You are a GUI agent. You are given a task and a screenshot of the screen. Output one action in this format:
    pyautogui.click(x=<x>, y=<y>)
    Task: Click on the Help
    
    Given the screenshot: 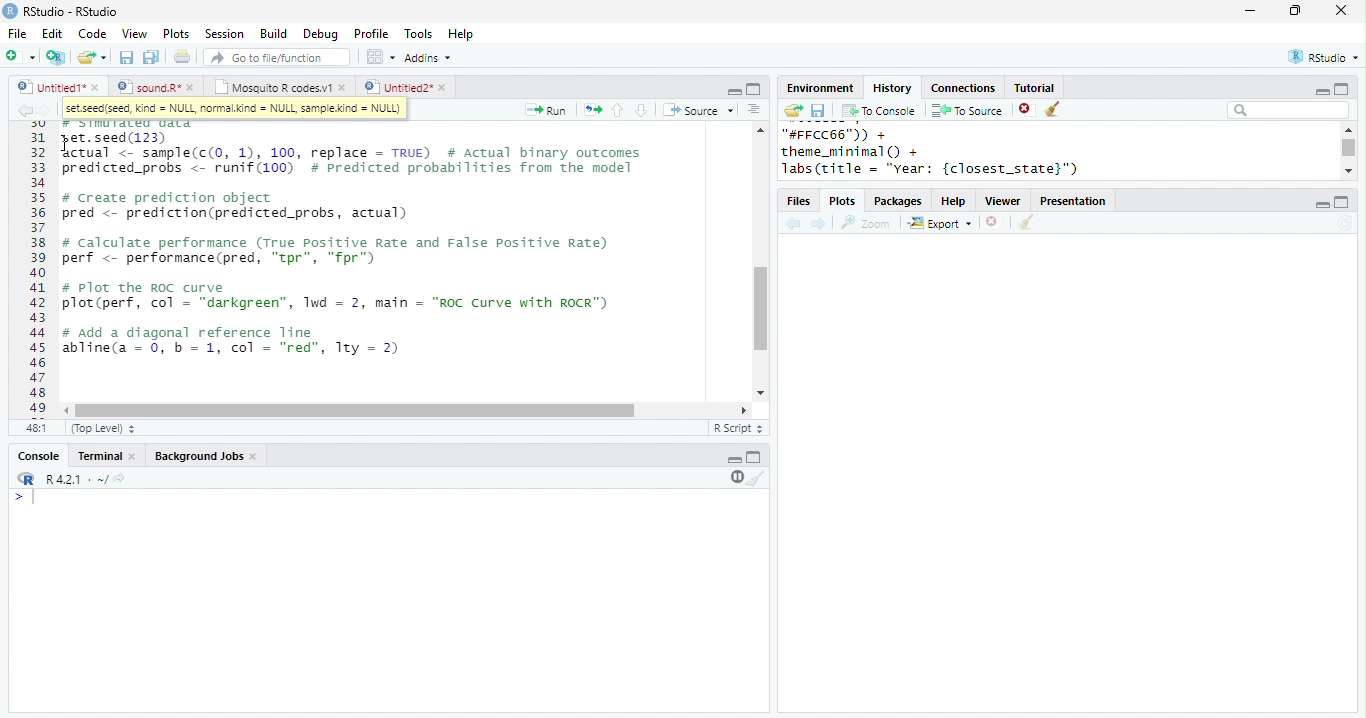 What is the action you would take?
    pyautogui.click(x=461, y=35)
    